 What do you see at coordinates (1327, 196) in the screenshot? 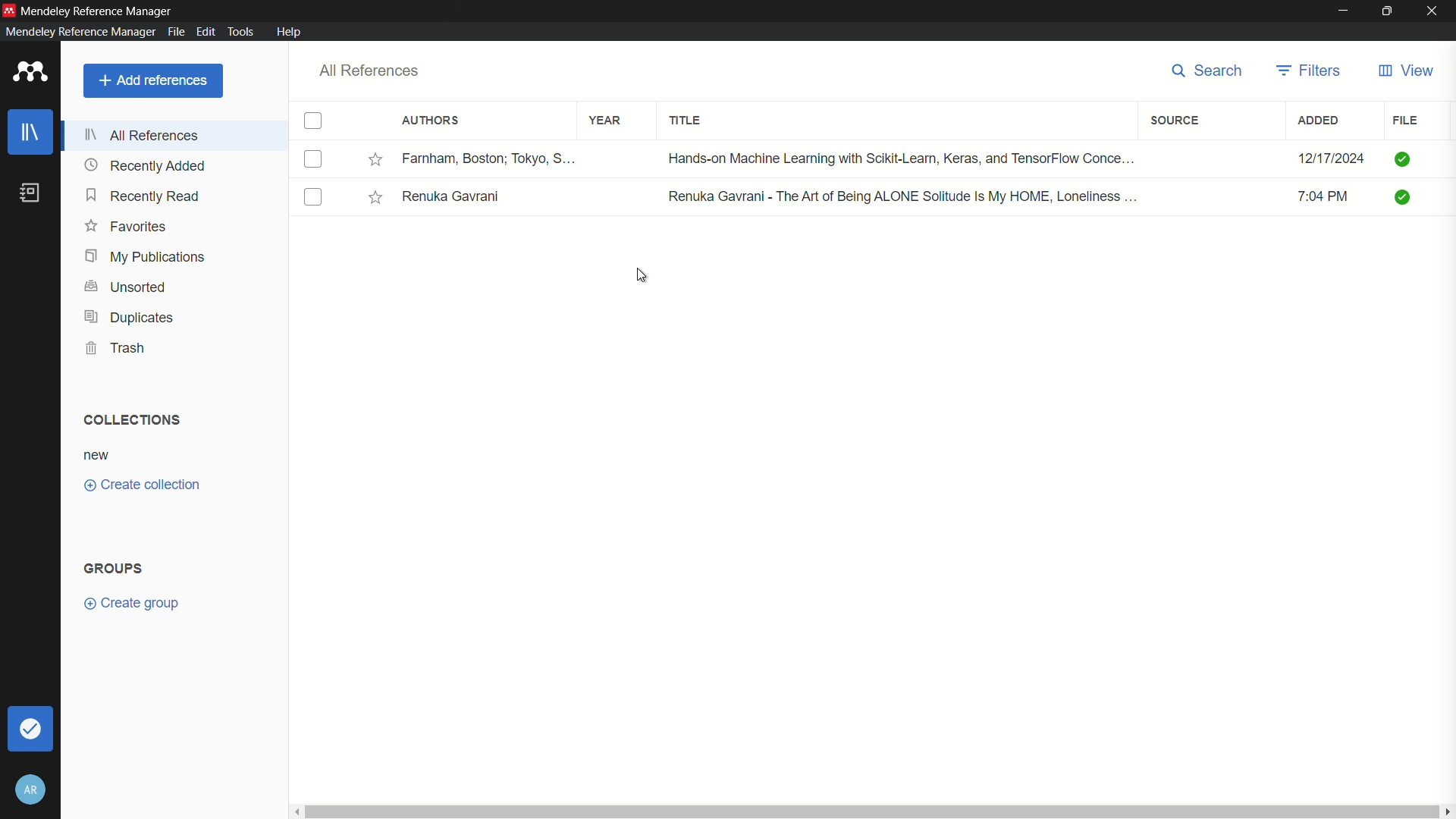
I see `time` at bounding box center [1327, 196].